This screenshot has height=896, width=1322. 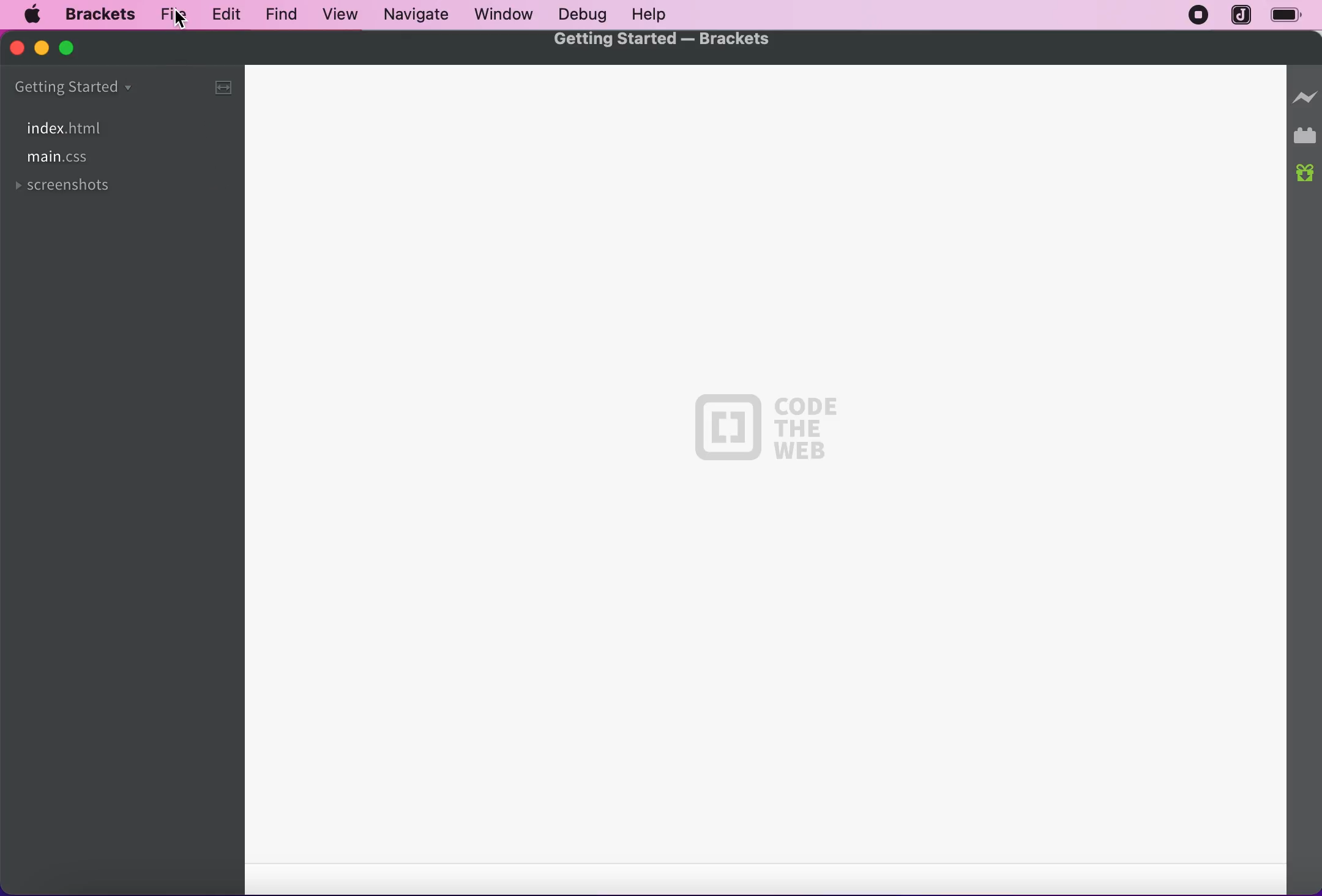 I want to click on close, so click(x=18, y=48).